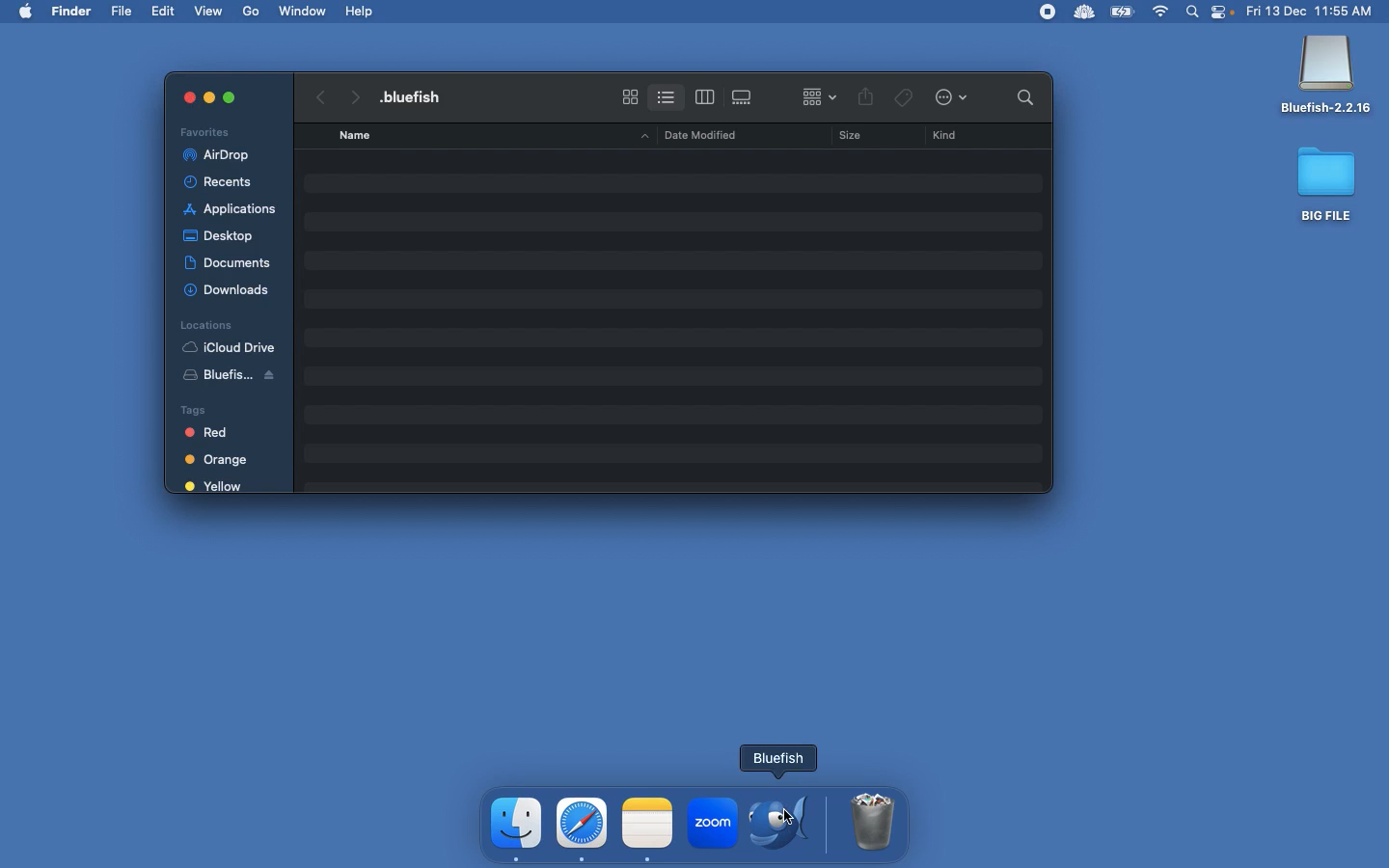 The width and height of the screenshot is (1389, 868). I want to click on size, so click(845, 138).